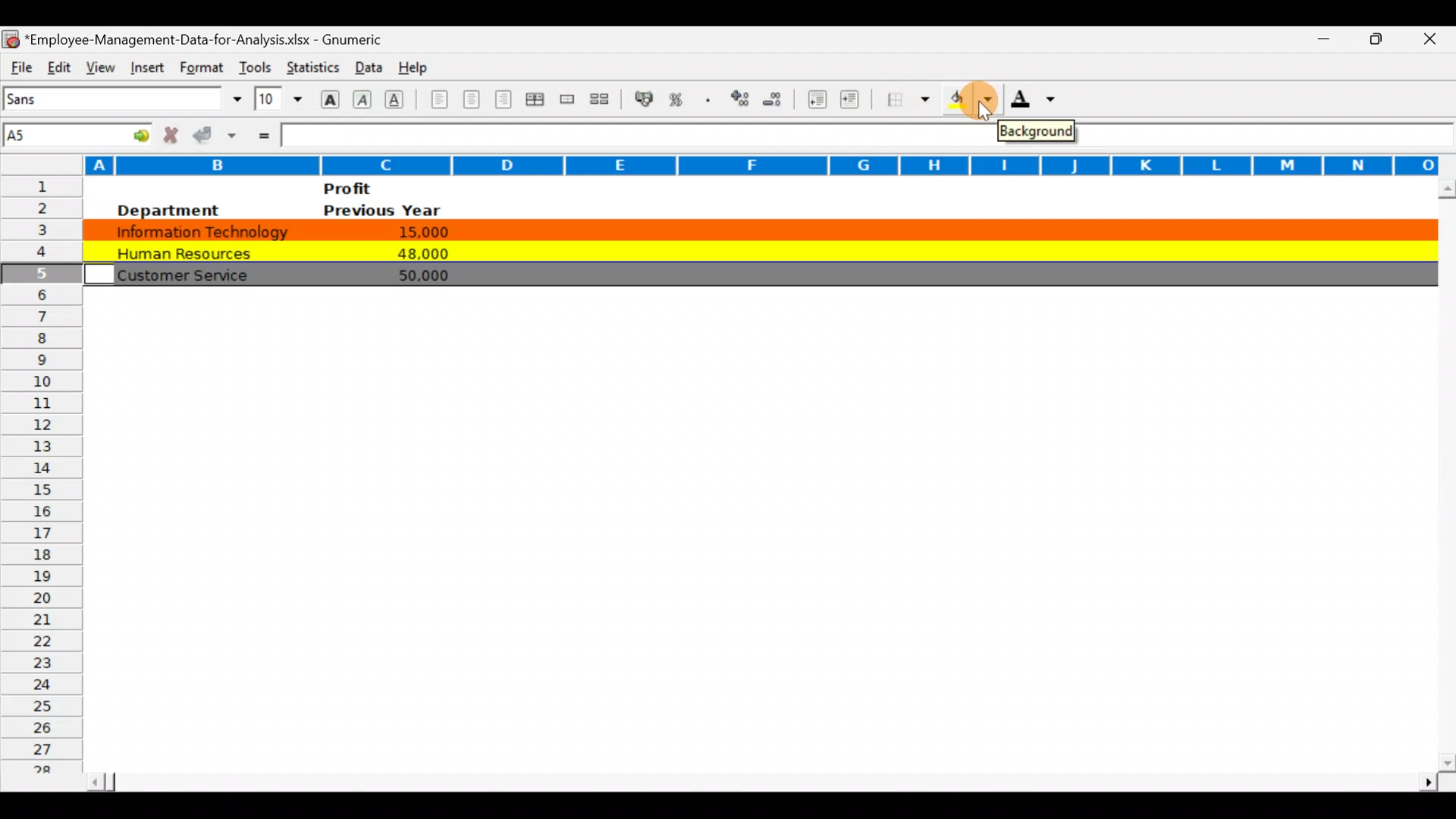  Describe the element at coordinates (720, 163) in the screenshot. I see `Columns` at that location.